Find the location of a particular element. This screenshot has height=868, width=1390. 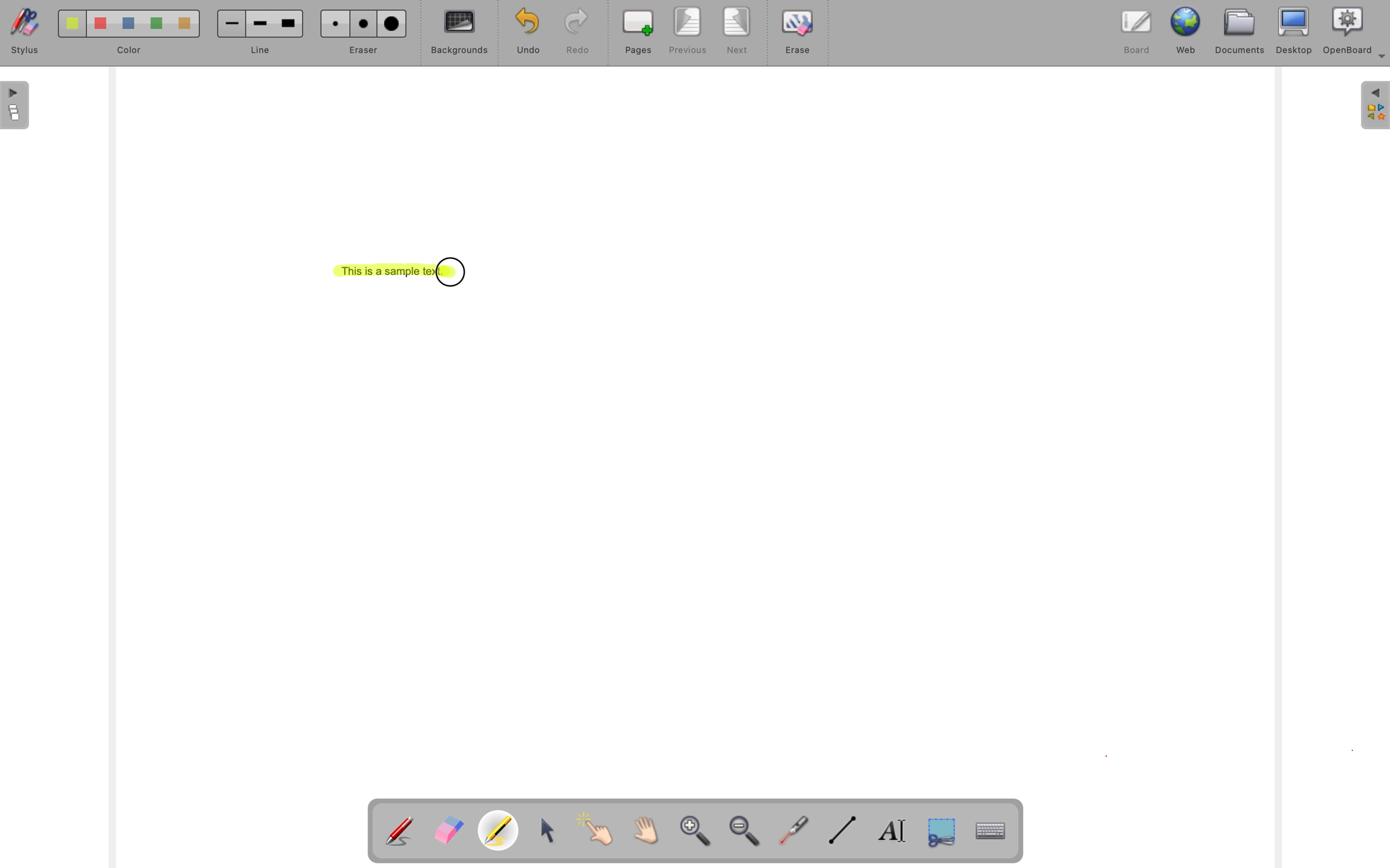

Highlight is located at coordinates (502, 828).